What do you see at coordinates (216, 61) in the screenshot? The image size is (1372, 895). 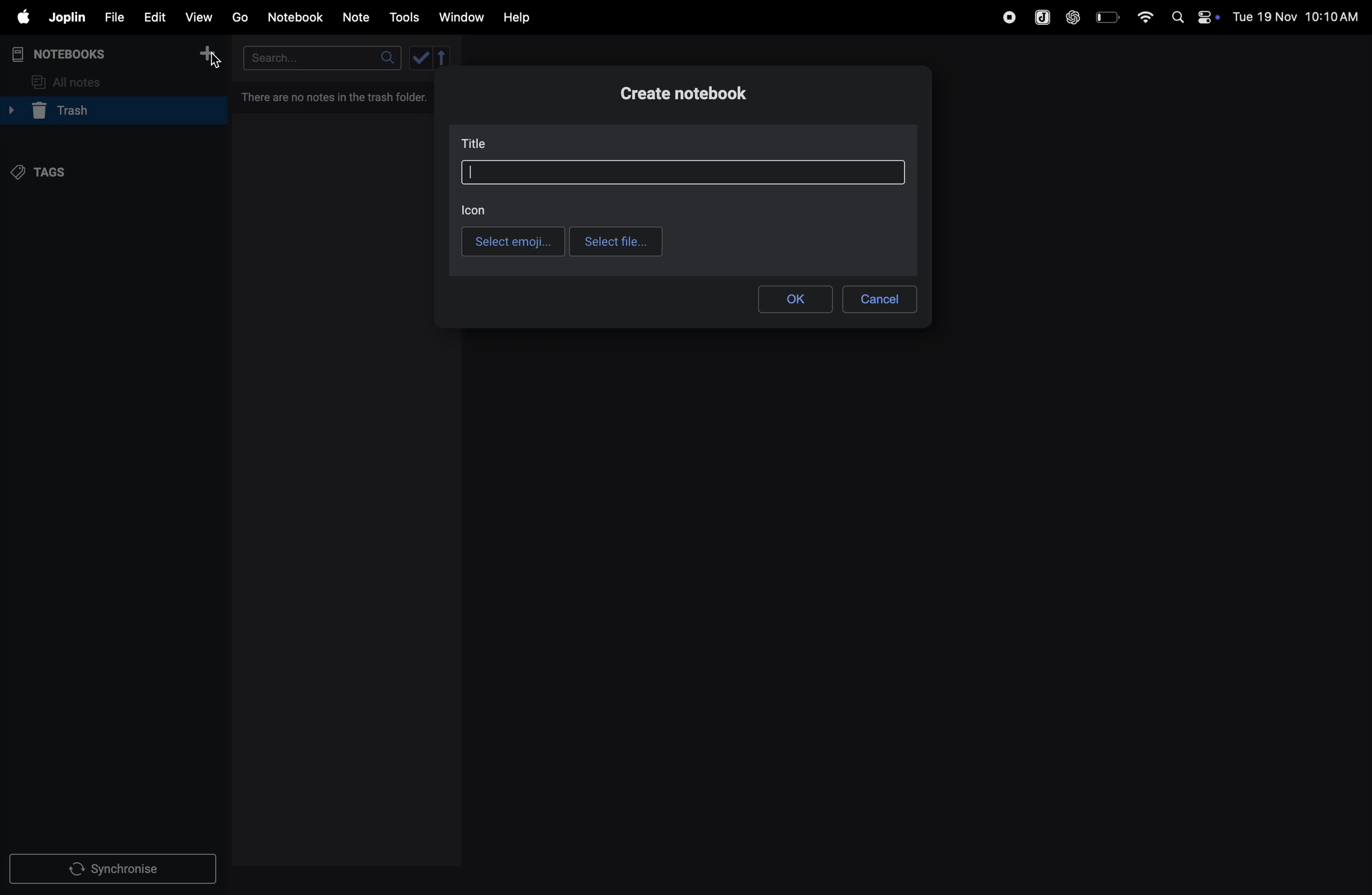 I see `Cursor` at bounding box center [216, 61].